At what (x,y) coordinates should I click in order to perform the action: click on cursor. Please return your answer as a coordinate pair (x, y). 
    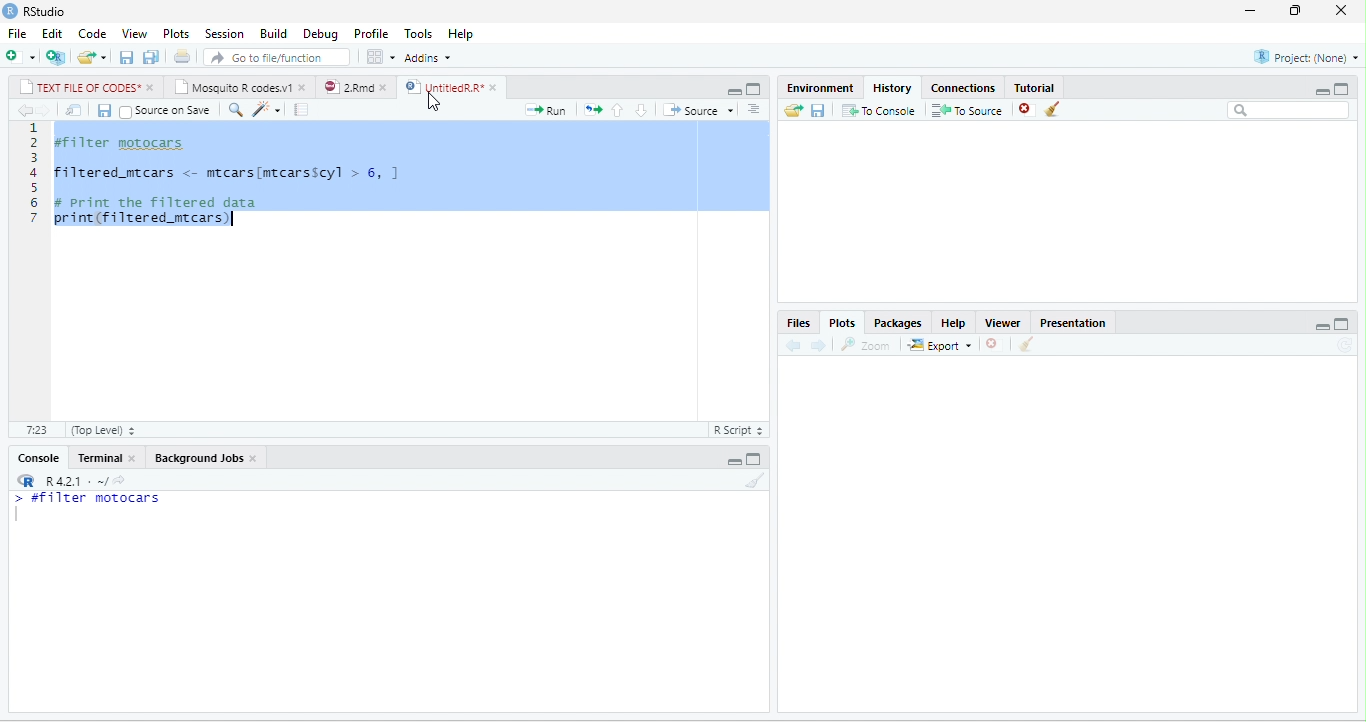
    Looking at the image, I should click on (434, 104).